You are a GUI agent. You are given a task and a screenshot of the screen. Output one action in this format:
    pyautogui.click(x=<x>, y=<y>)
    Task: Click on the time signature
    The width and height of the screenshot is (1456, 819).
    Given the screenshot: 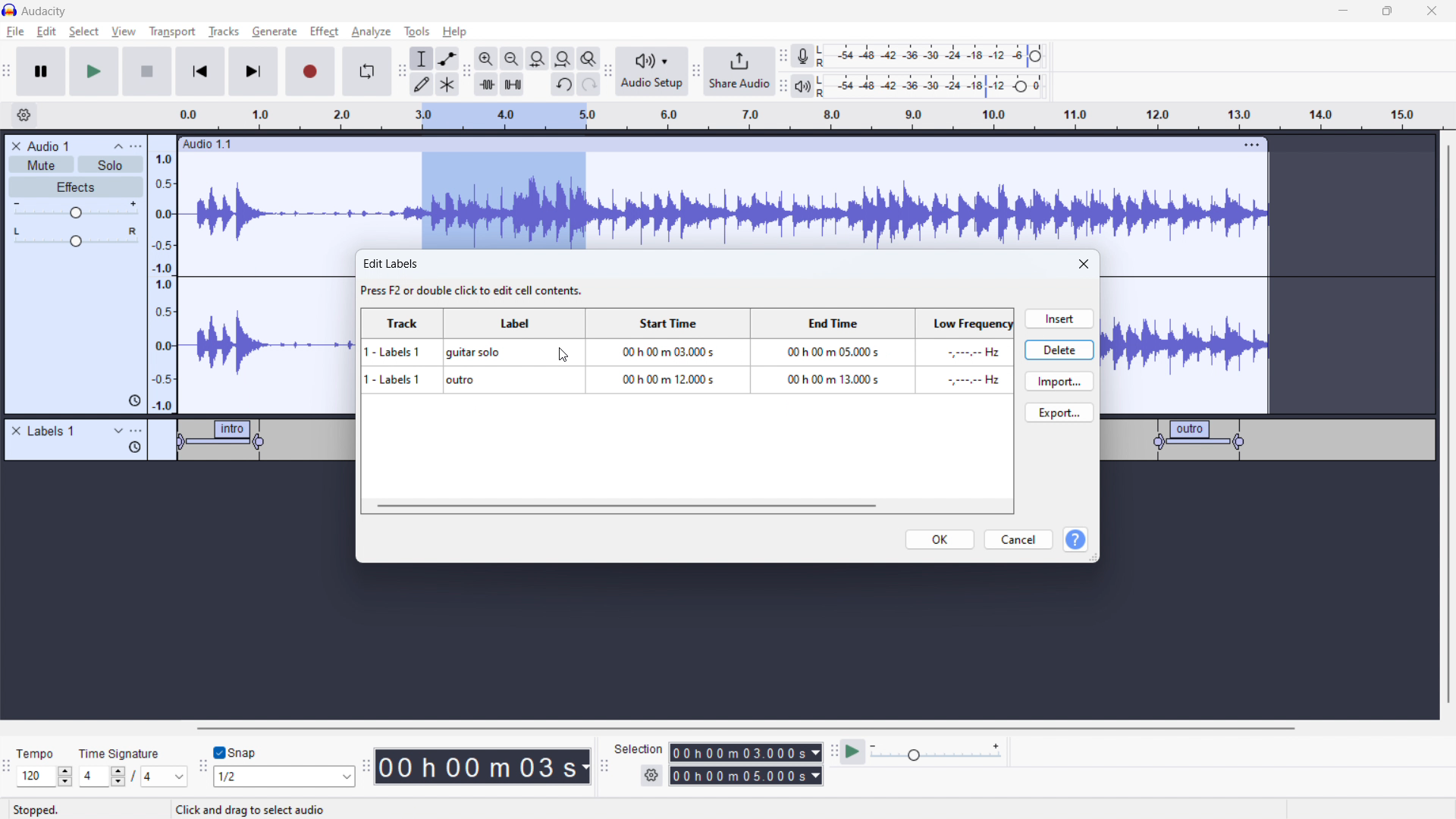 What is the action you would take?
    pyautogui.click(x=121, y=753)
    